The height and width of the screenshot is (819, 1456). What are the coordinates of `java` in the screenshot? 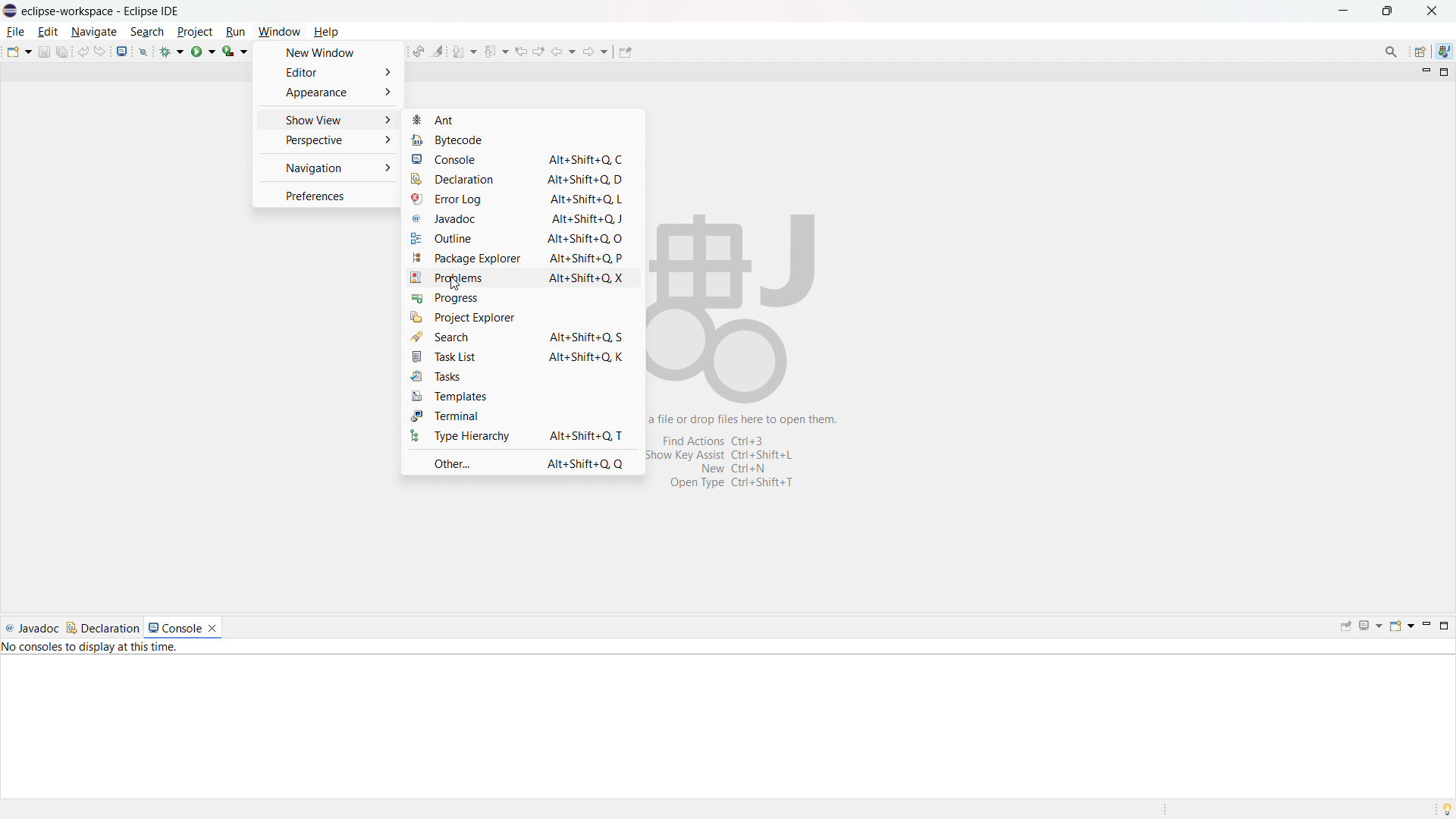 It's located at (1445, 50).